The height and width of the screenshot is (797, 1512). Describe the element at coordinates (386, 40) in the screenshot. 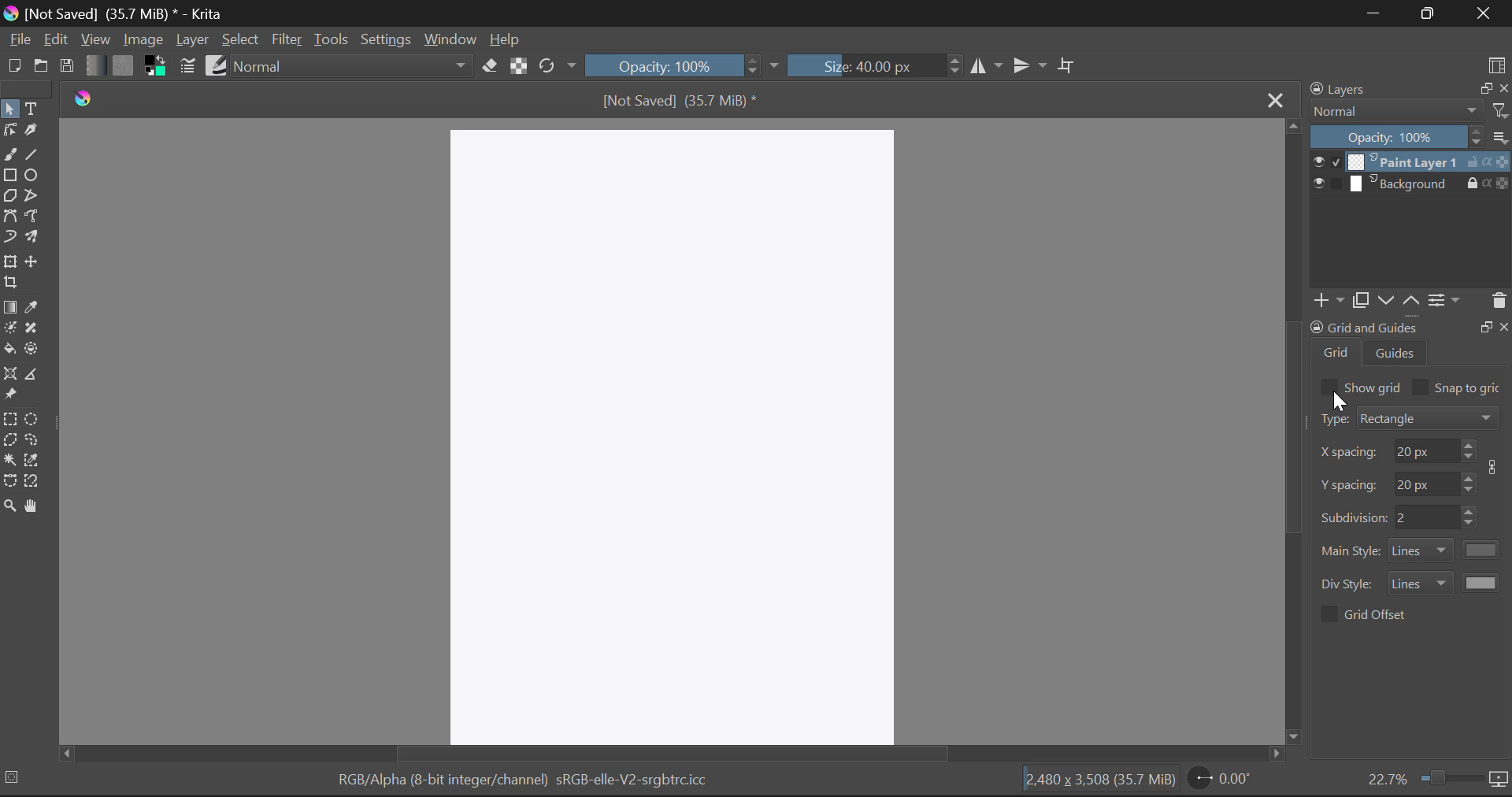

I see `Settings` at that location.